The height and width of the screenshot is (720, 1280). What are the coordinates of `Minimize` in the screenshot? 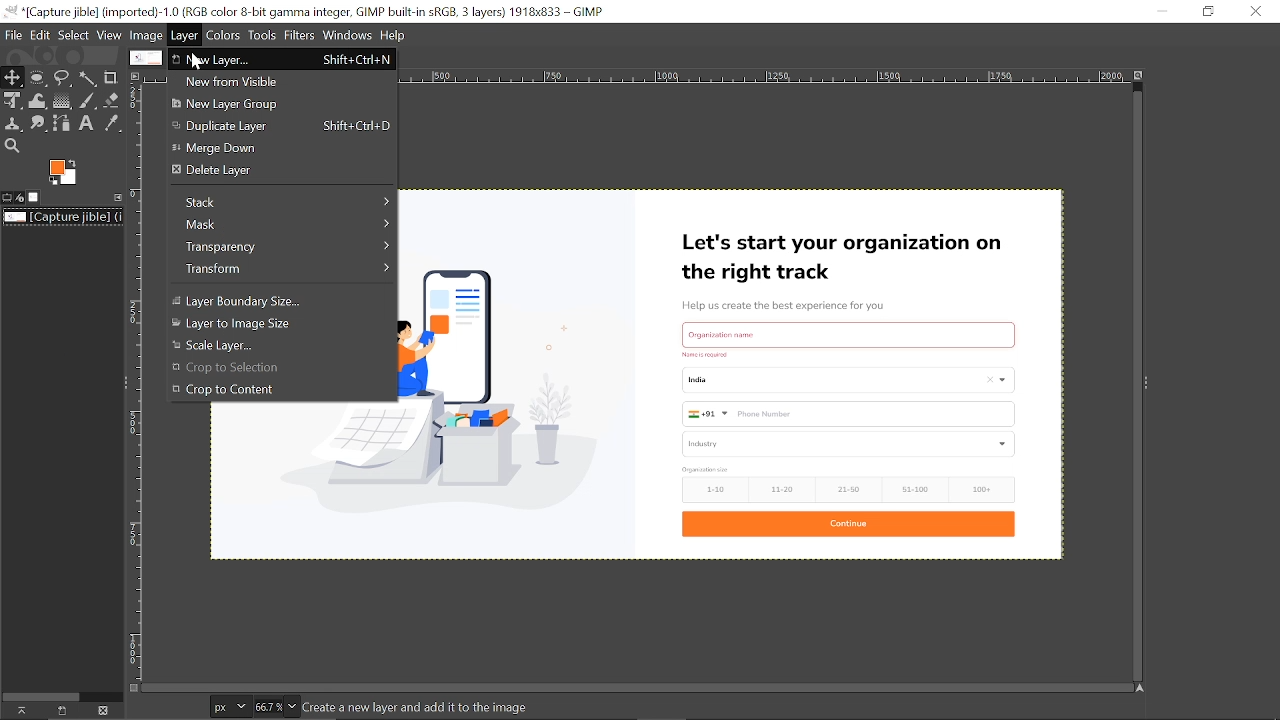 It's located at (1159, 12).